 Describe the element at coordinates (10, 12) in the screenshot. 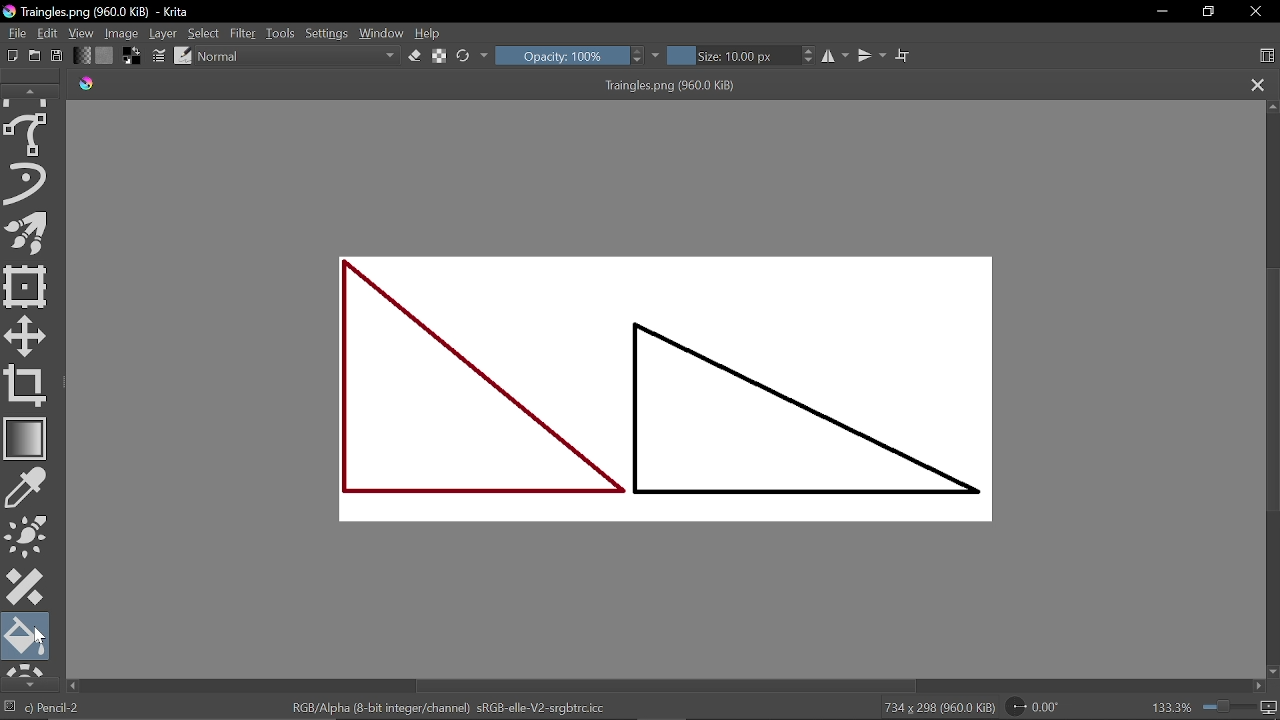

I see `App icon` at that location.